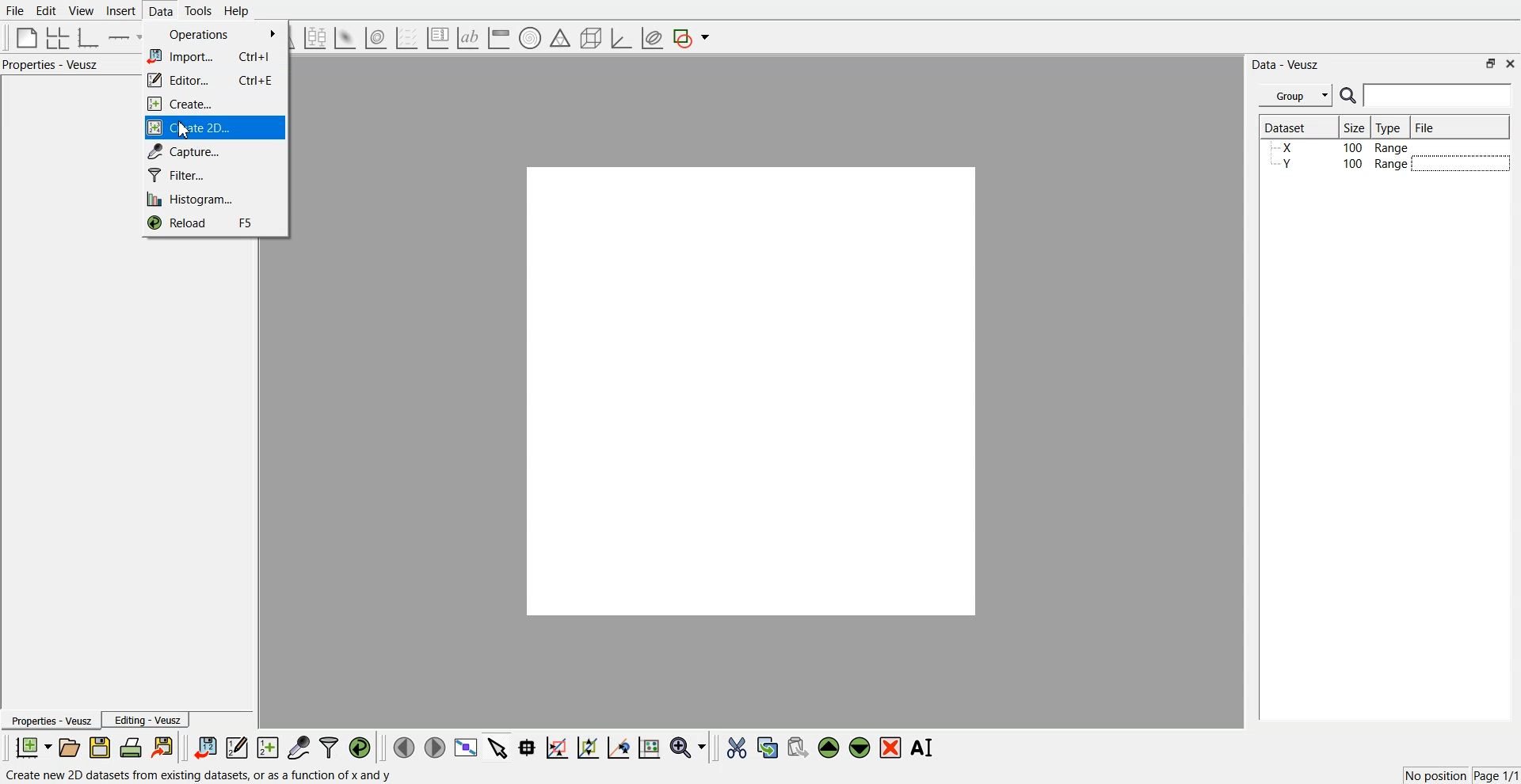  I want to click on Reload, so click(213, 223).